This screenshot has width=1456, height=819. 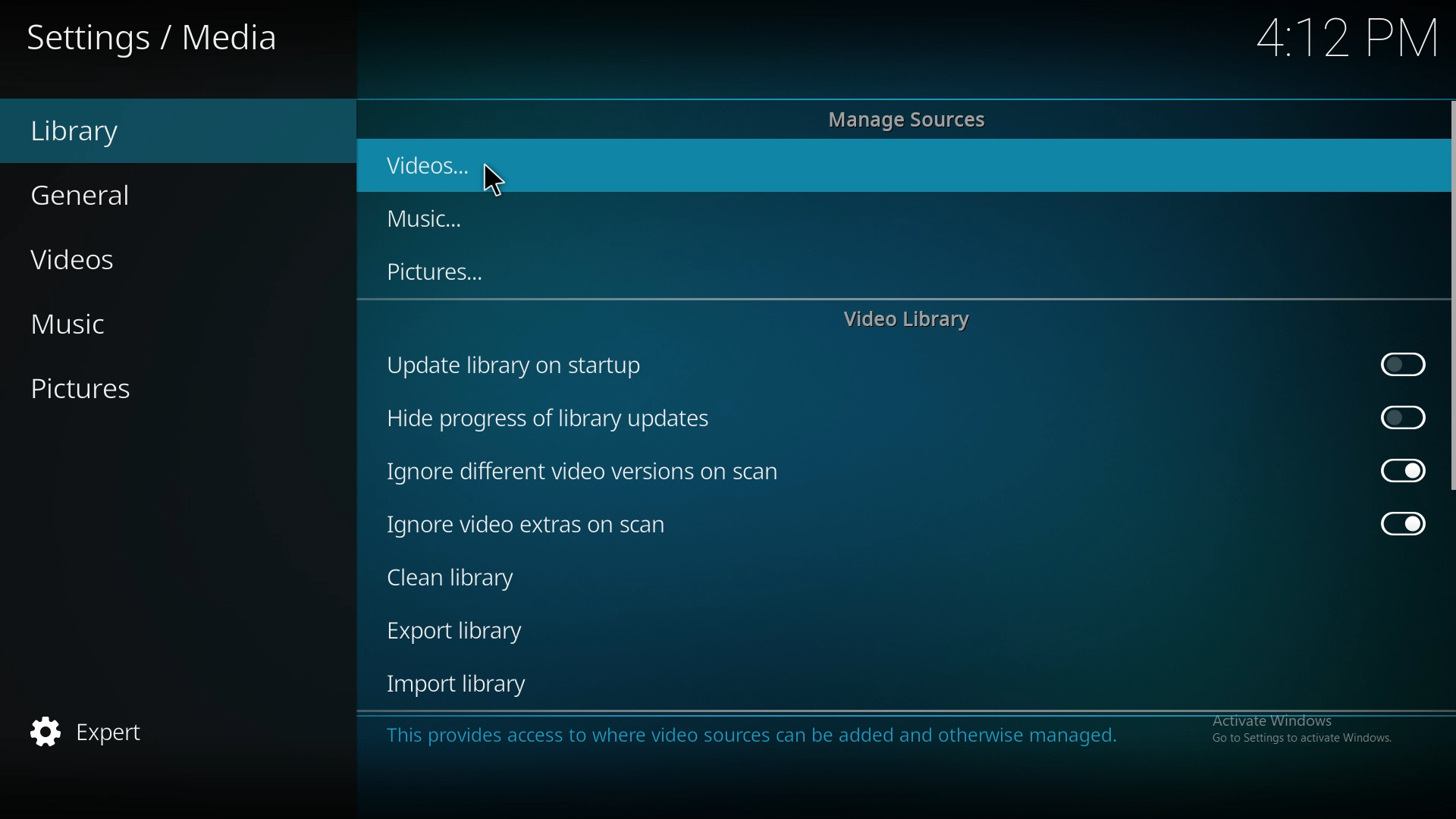 I want to click on on, so click(x=1402, y=362).